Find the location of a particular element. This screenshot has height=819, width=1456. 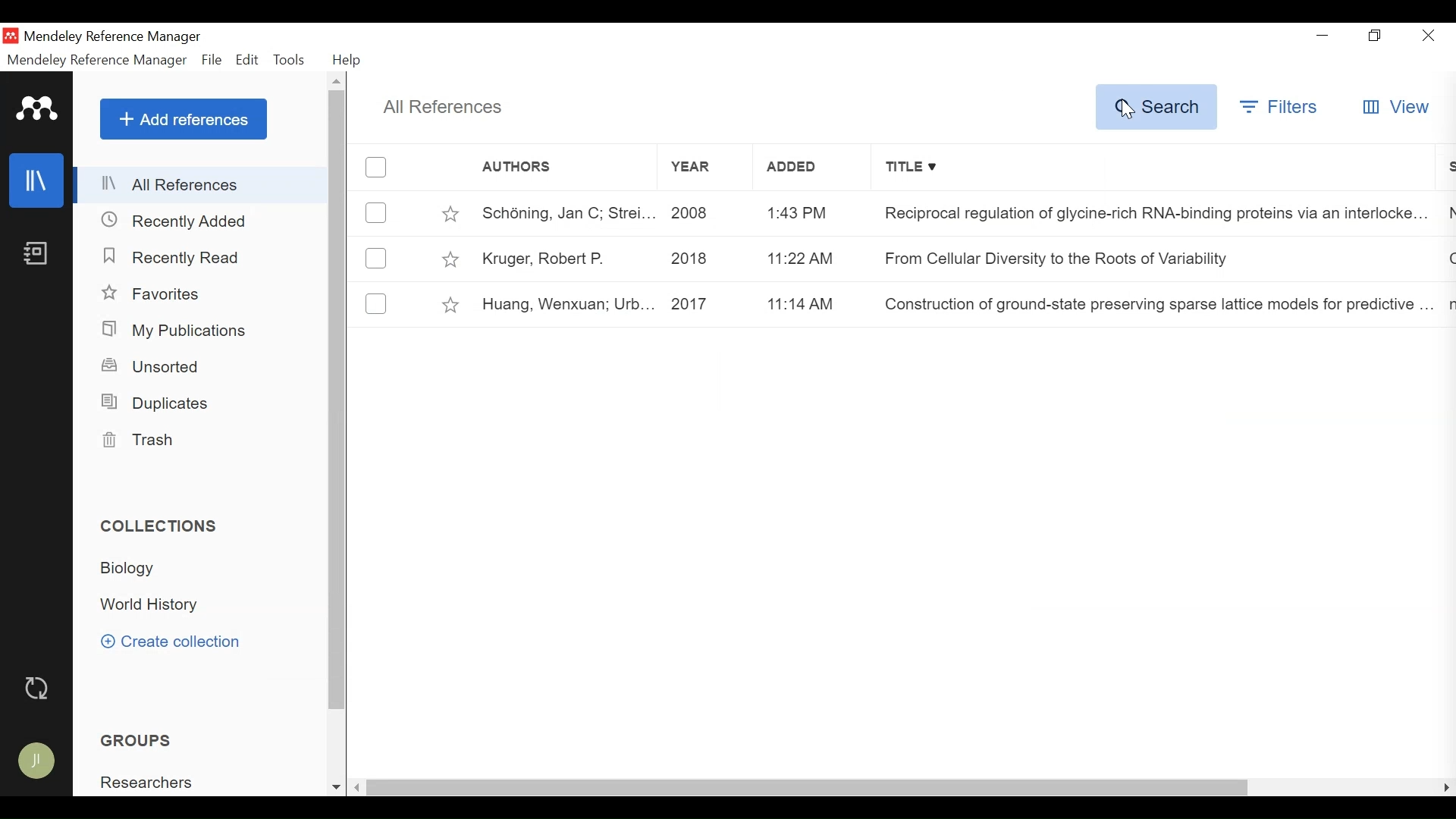

Year is located at coordinates (704, 167).